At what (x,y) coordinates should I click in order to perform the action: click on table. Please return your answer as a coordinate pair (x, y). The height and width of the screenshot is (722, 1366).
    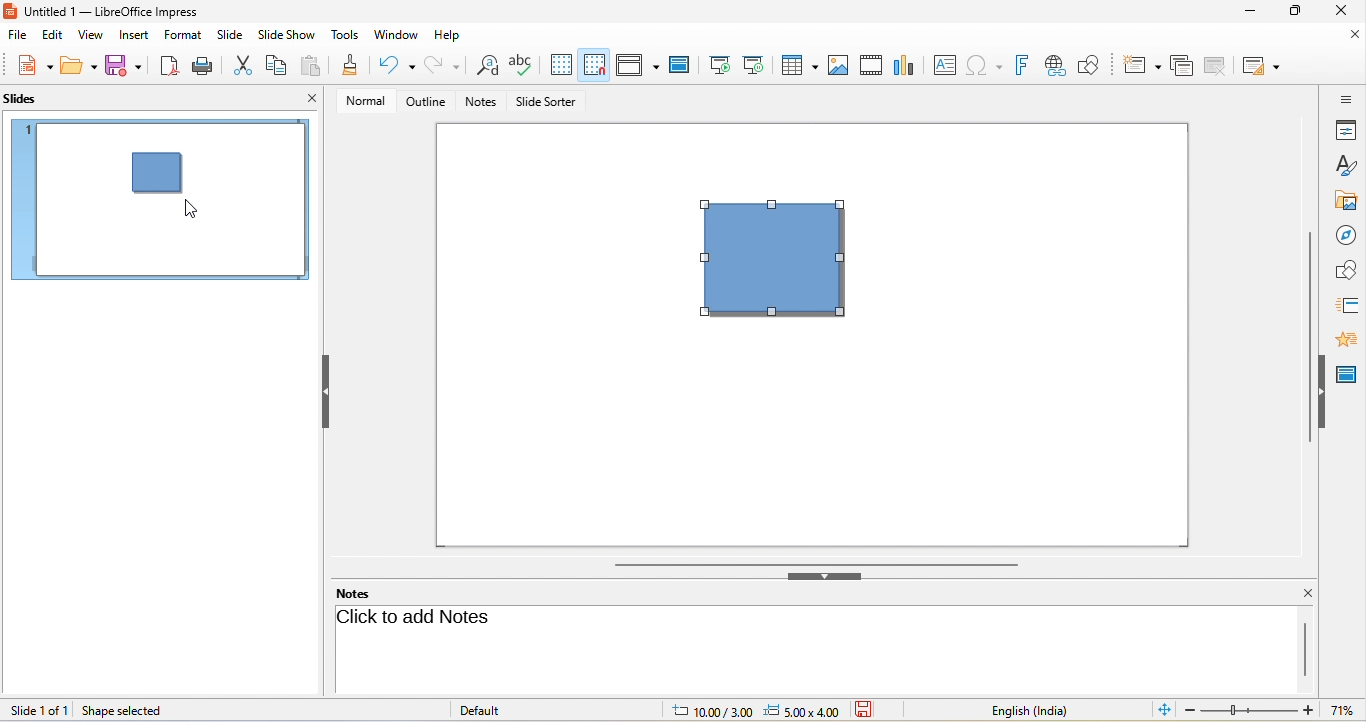
    Looking at the image, I should click on (800, 65).